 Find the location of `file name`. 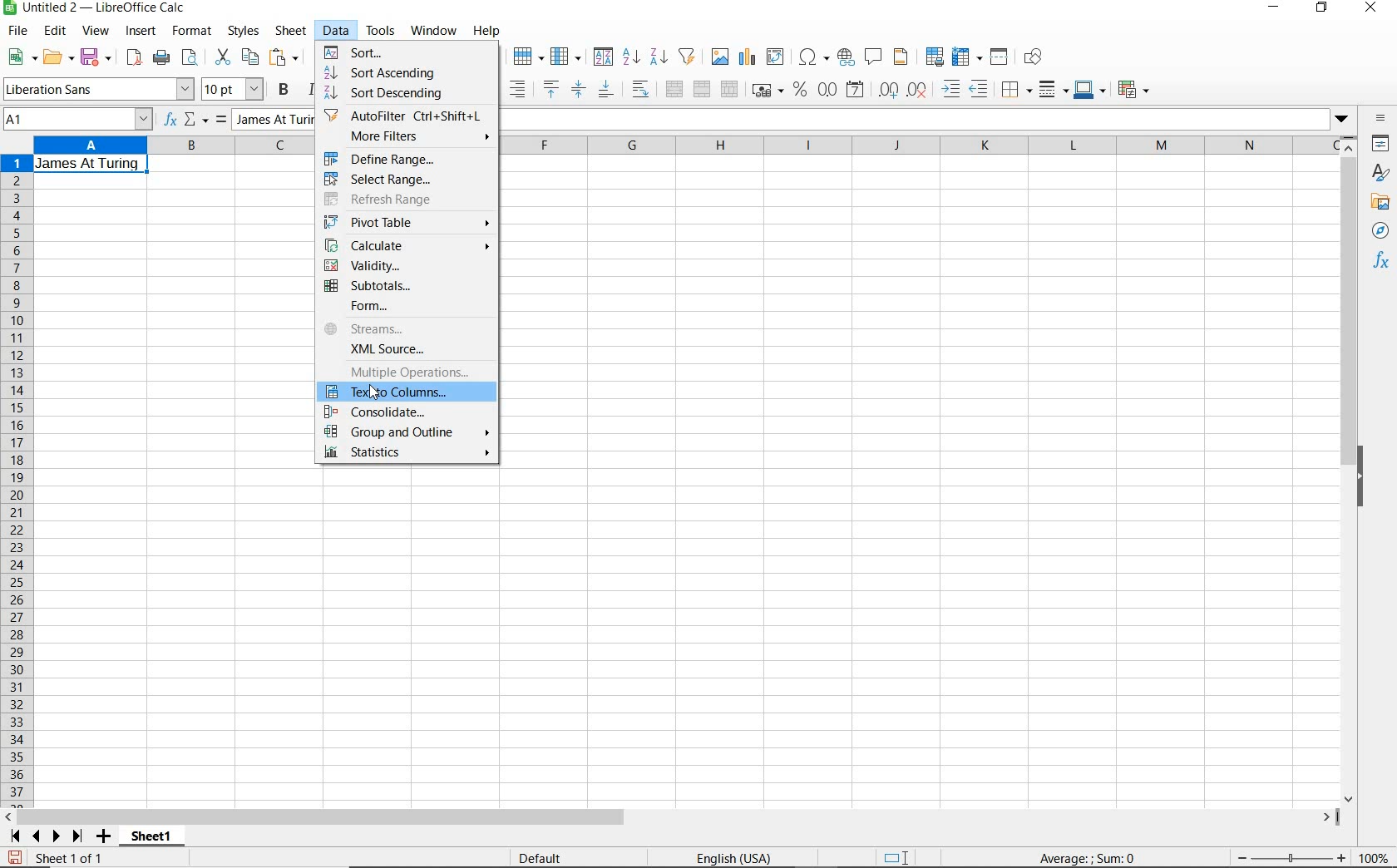

file name is located at coordinates (98, 8).